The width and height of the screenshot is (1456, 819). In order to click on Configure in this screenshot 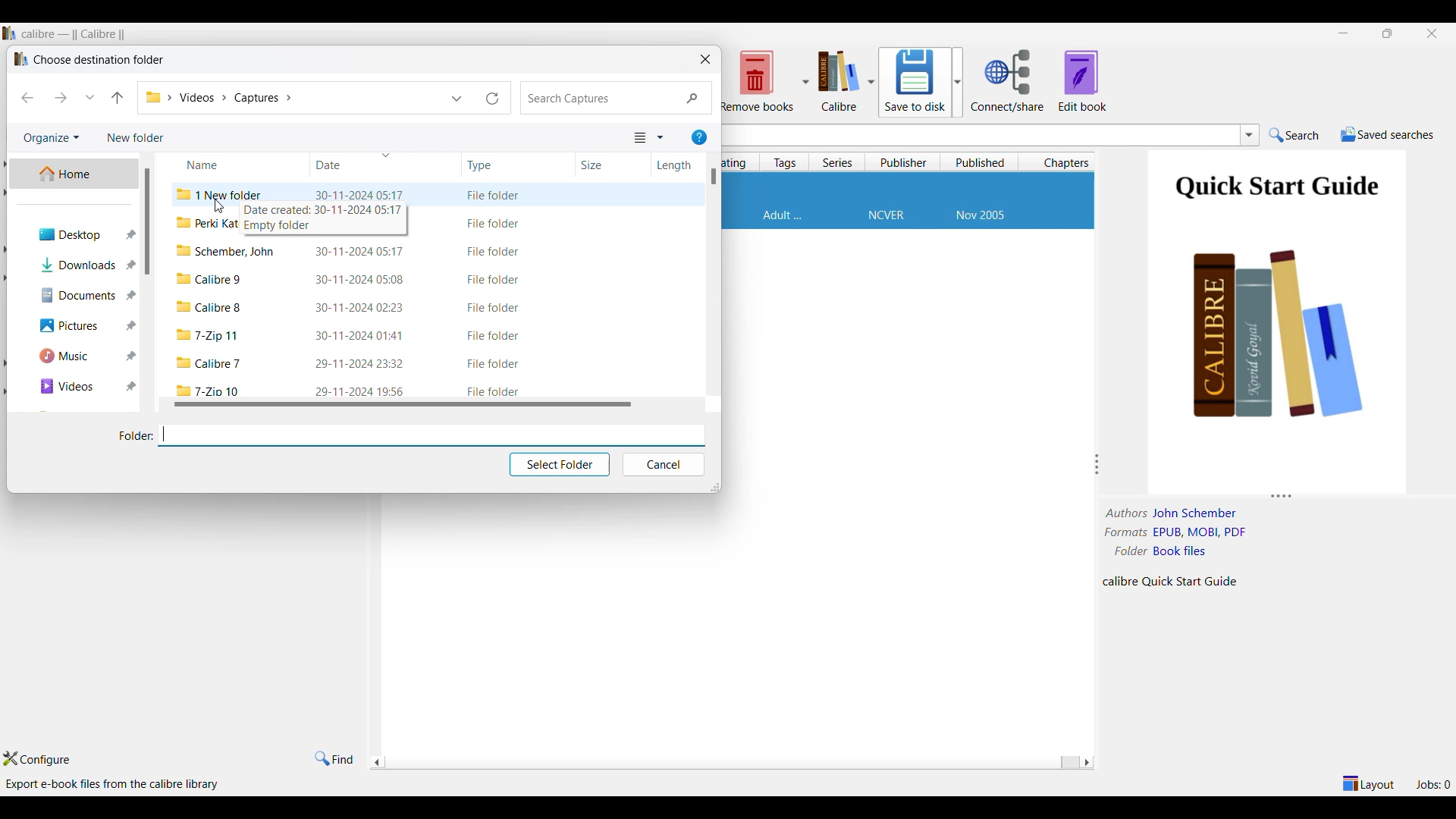, I will do `click(36, 758)`.